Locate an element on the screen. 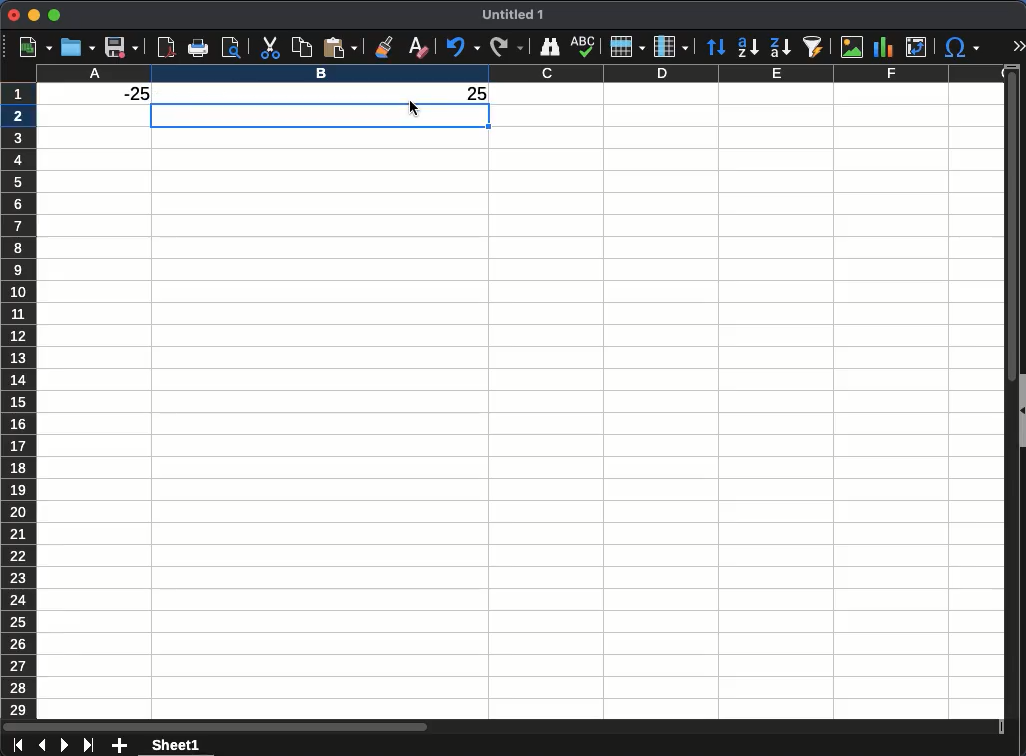  print preview is located at coordinates (231, 48).